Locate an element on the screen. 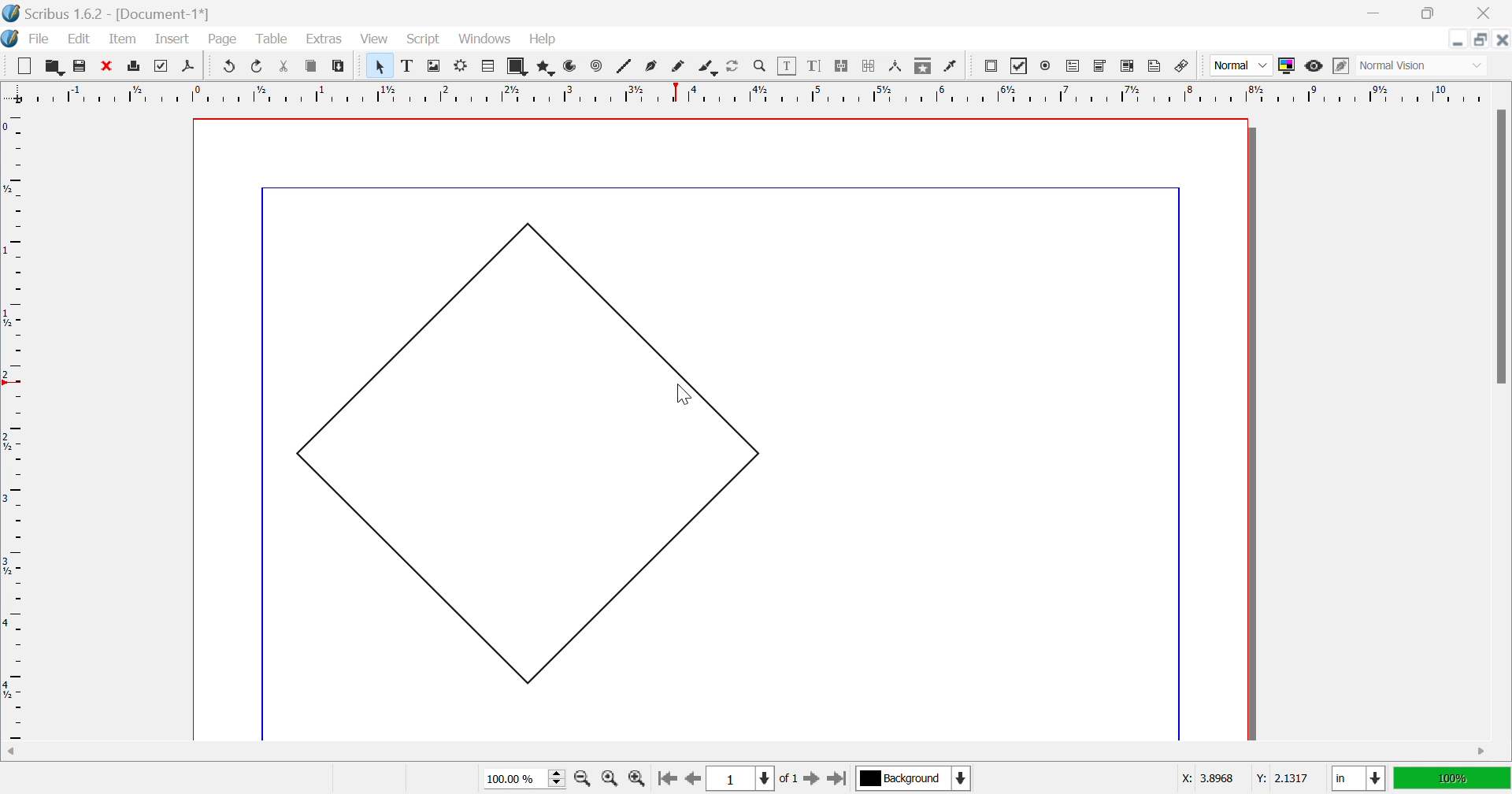  Minimize is located at coordinates (1458, 39).